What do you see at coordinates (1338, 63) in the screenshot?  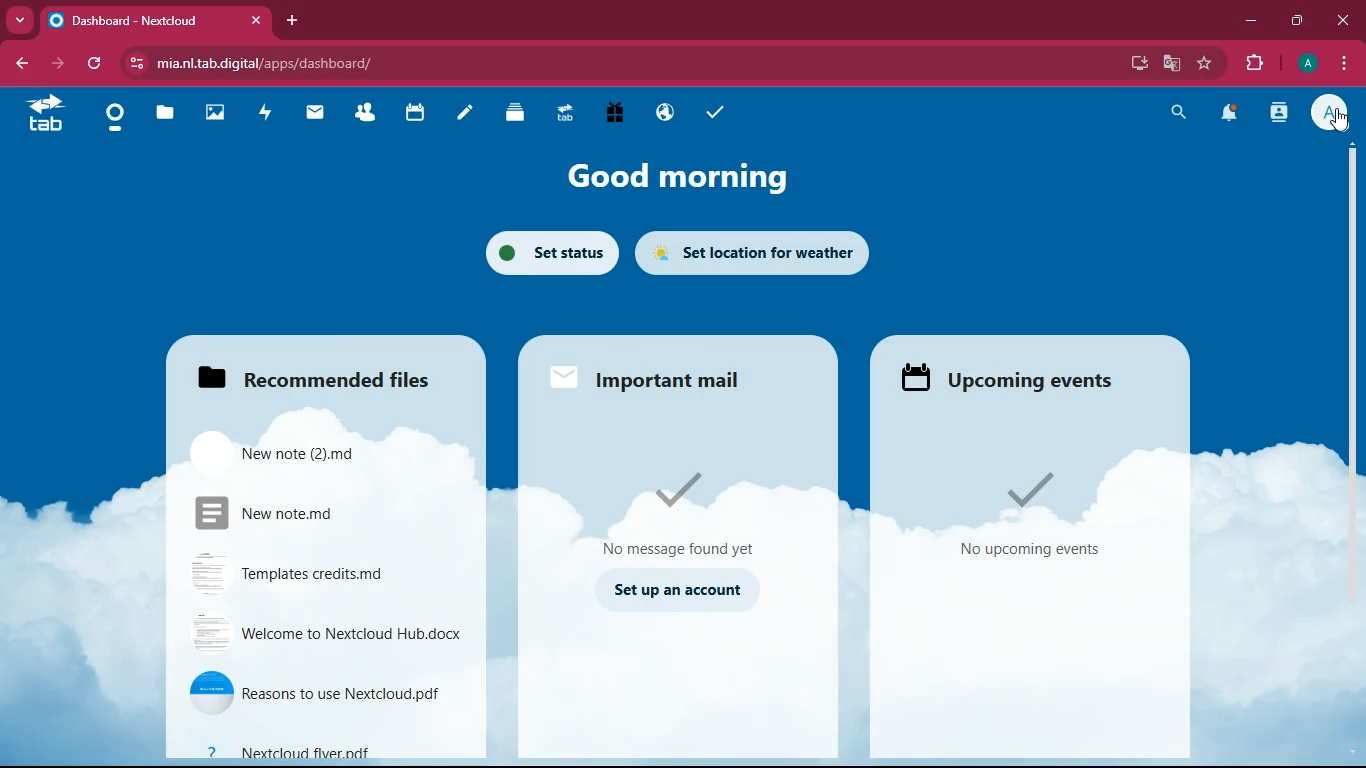 I see `menu` at bounding box center [1338, 63].